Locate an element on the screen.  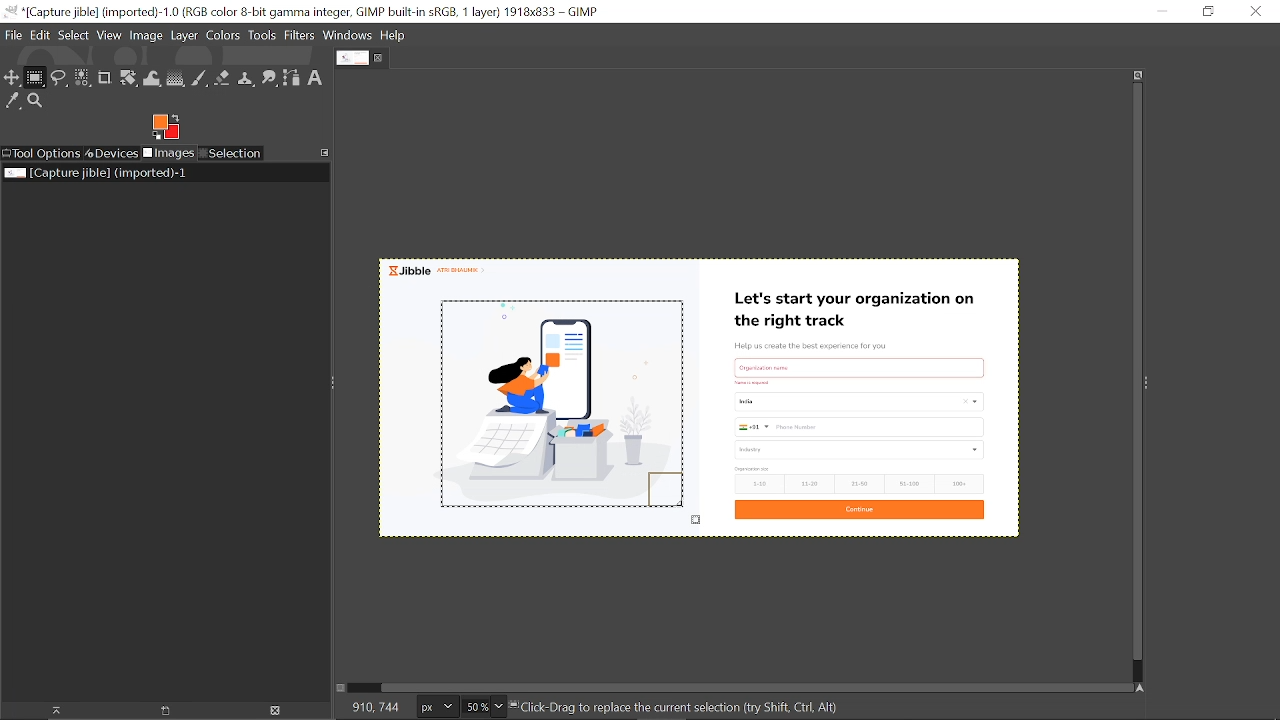
Selection is located at coordinates (230, 154).